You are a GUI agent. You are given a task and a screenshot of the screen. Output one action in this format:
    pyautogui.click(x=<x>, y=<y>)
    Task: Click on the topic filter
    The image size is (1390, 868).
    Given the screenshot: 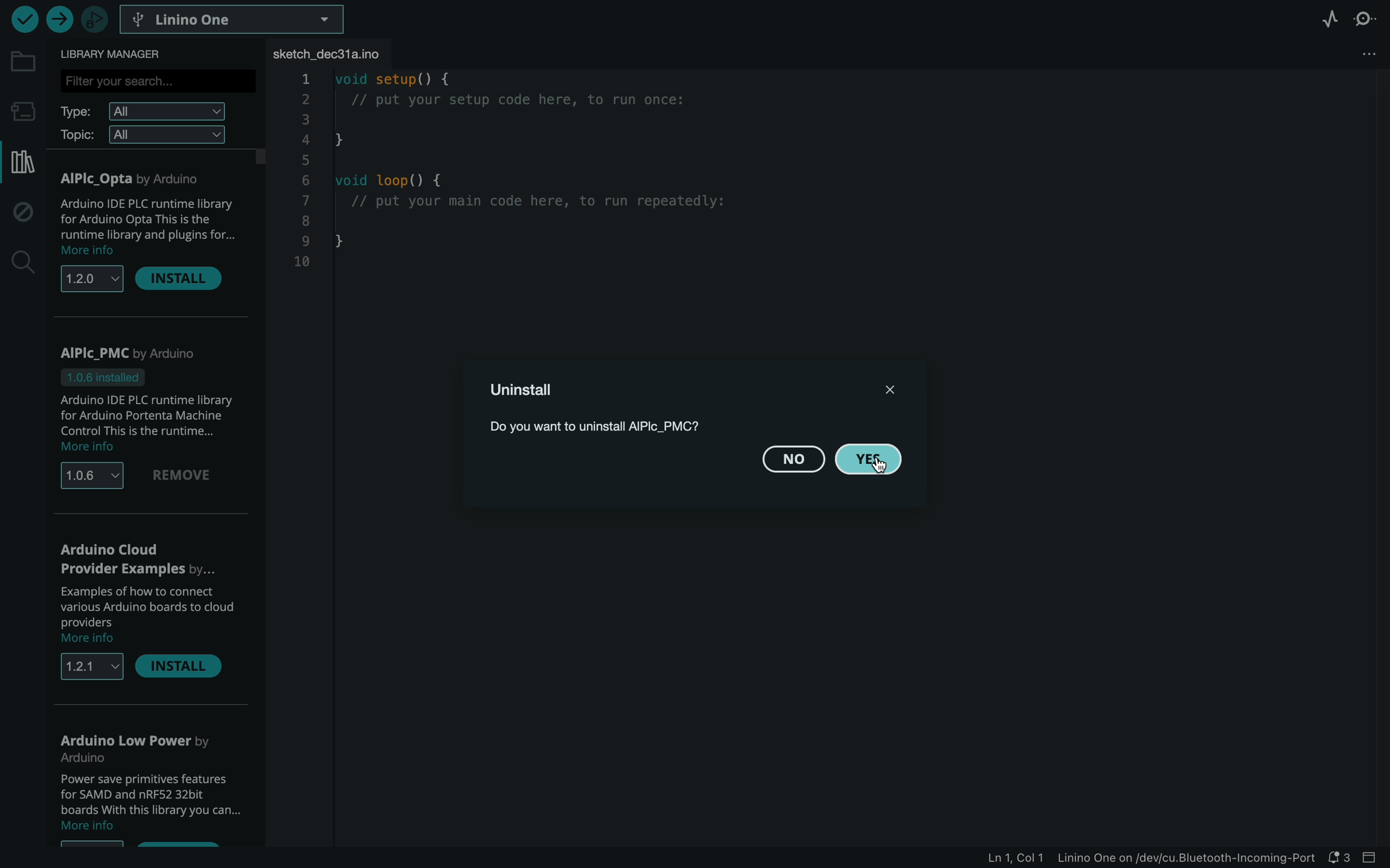 What is the action you would take?
    pyautogui.click(x=143, y=134)
    